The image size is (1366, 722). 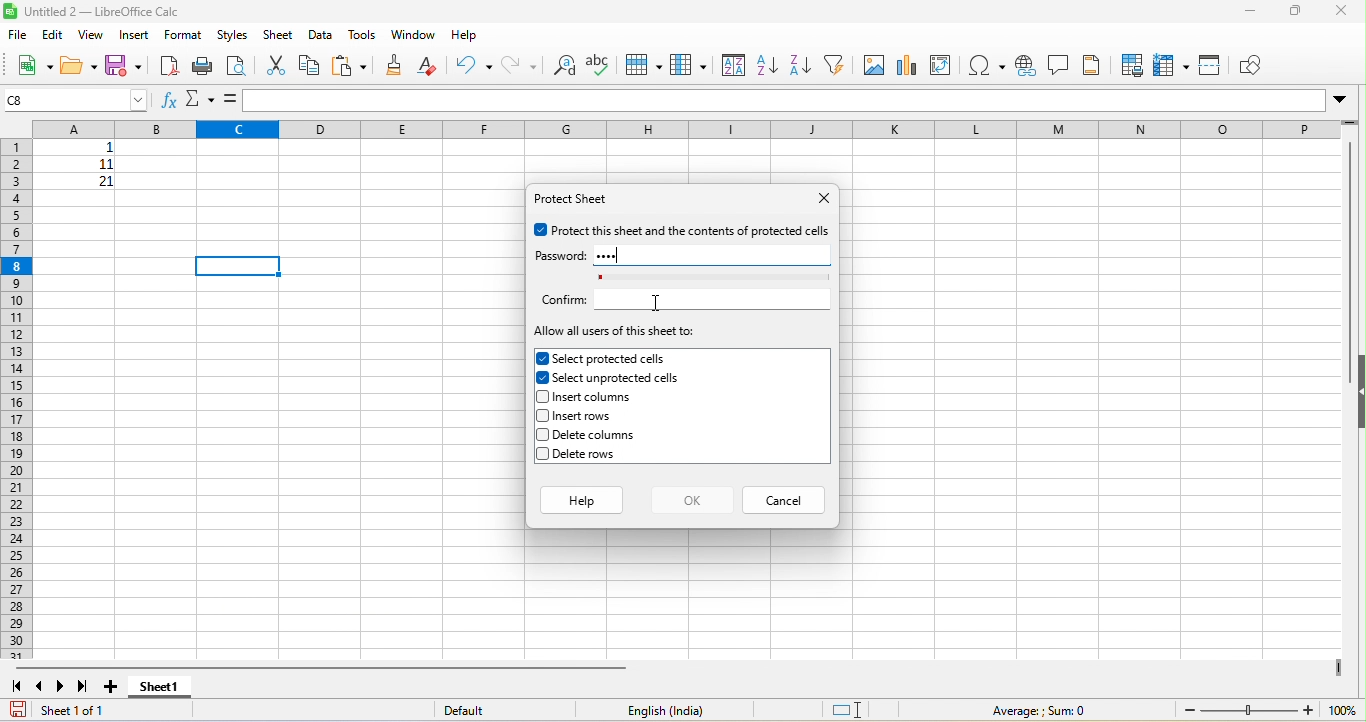 What do you see at coordinates (785, 497) in the screenshot?
I see `cancel` at bounding box center [785, 497].